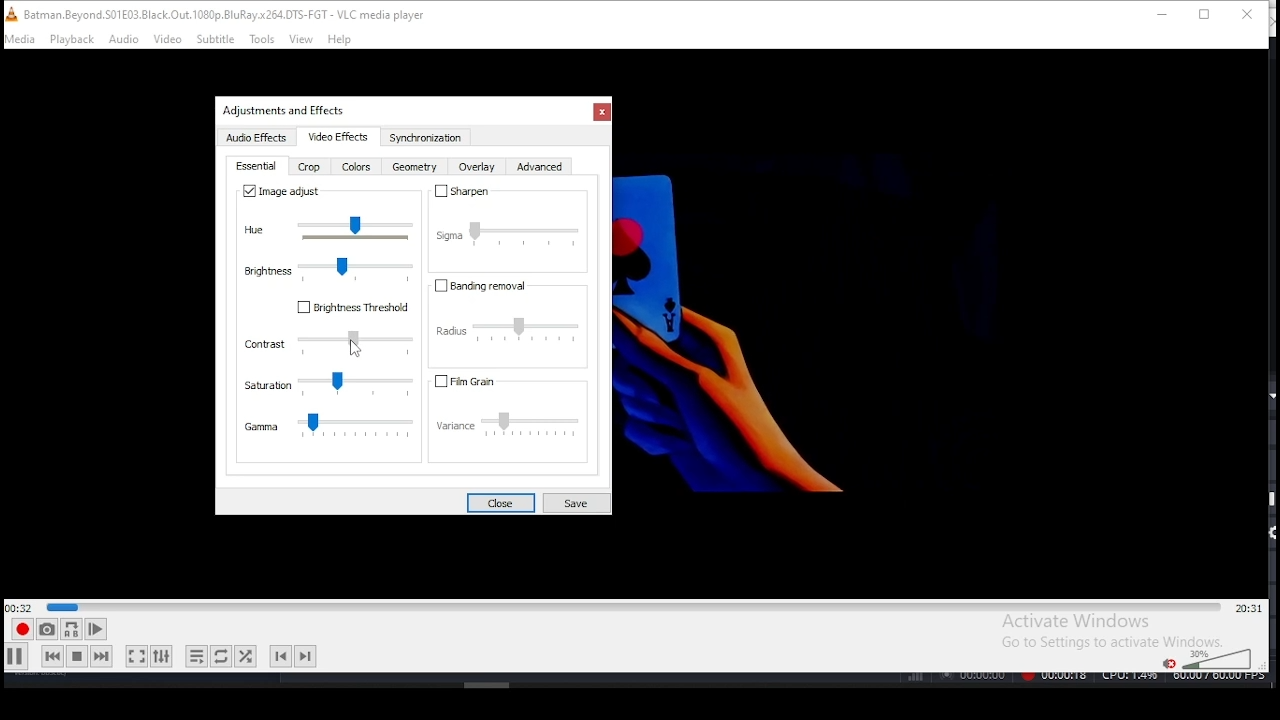 The height and width of the screenshot is (720, 1280). I want to click on contrast settings slider, so click(326, 345).